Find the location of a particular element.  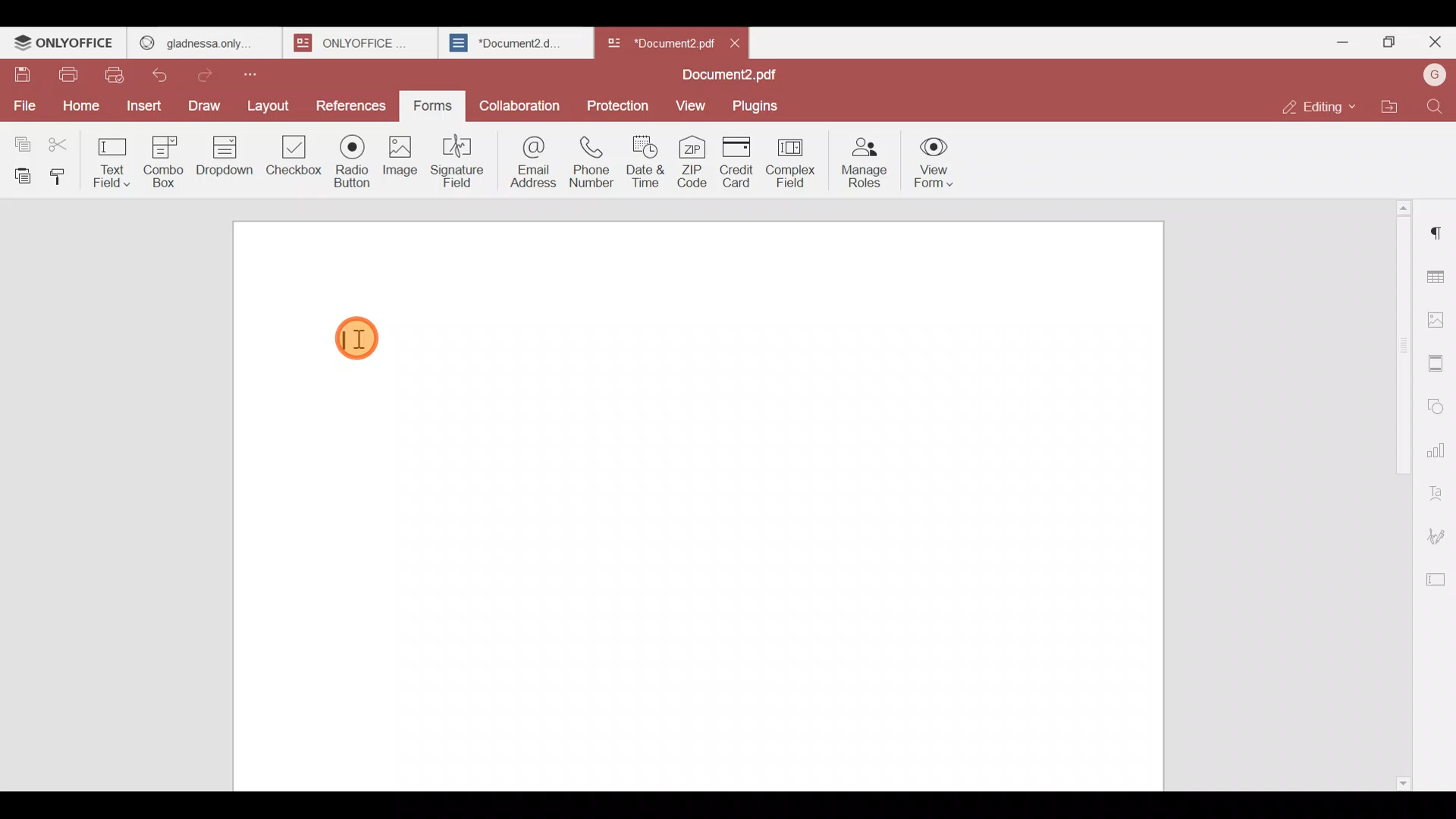

Quick print is located at coordinates (120, 75).